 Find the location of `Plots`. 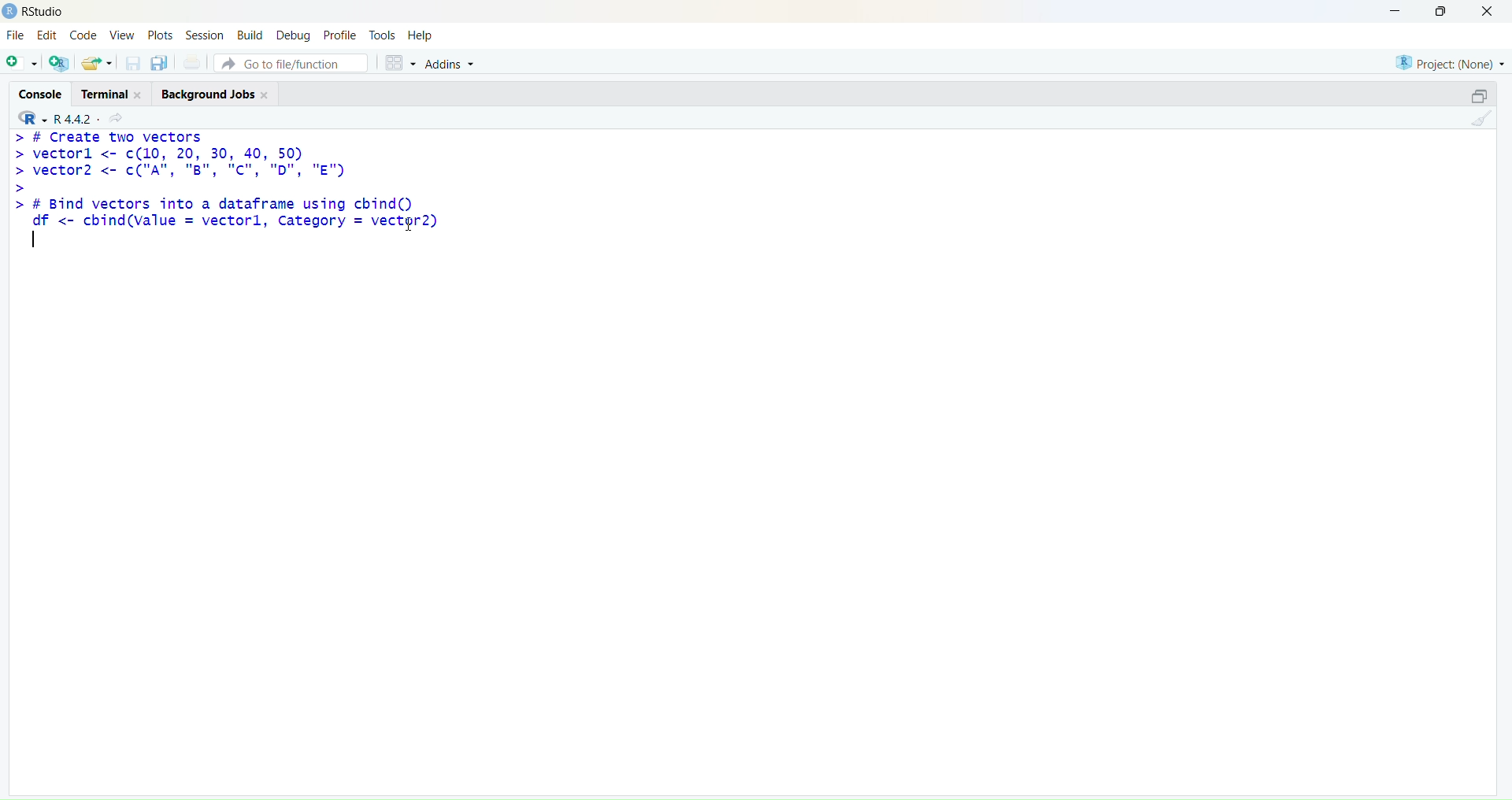

Plots is located at coordinates (160, 35).